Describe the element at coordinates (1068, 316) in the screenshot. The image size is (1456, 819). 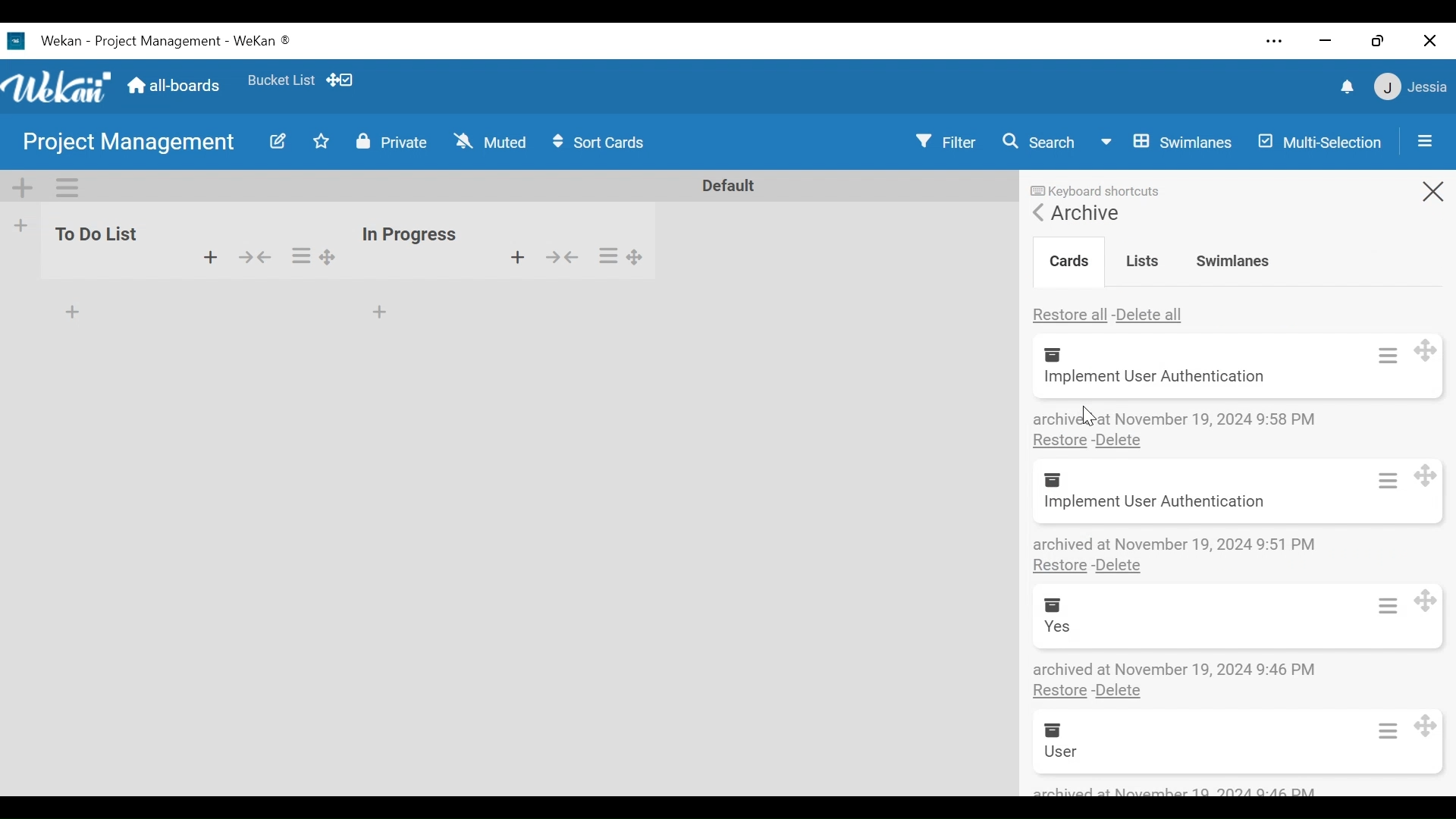
I see `Restore all` at that location.